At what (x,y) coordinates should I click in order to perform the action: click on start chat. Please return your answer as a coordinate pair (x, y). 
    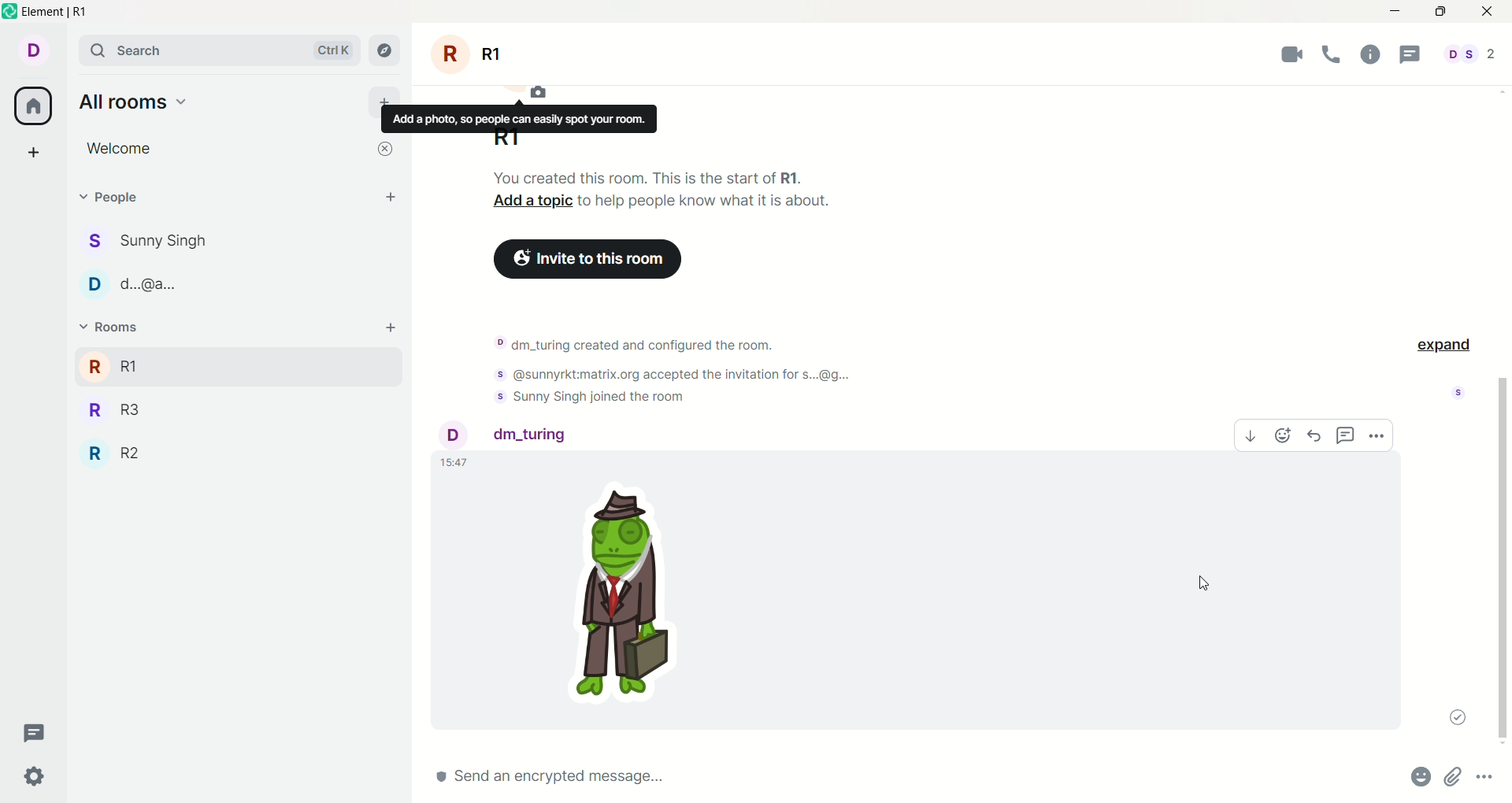
    Looking at the image, I should click on (391, 196).